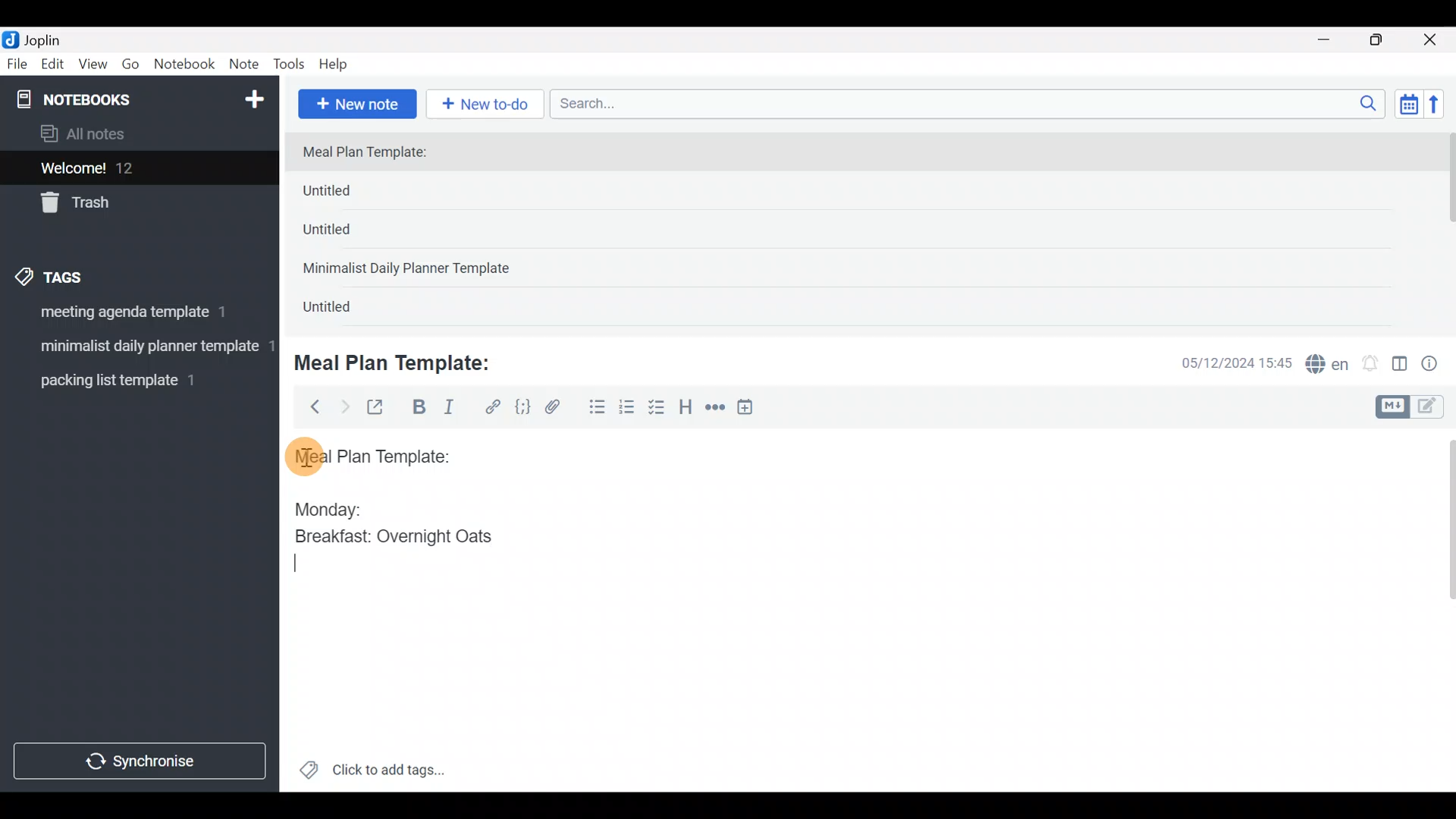 This screenshot has height=819, width=1456. What do you see at coordinates (1332, 38) in the screenshot?
I see `Minimize` at bounding box center [1332, 38].